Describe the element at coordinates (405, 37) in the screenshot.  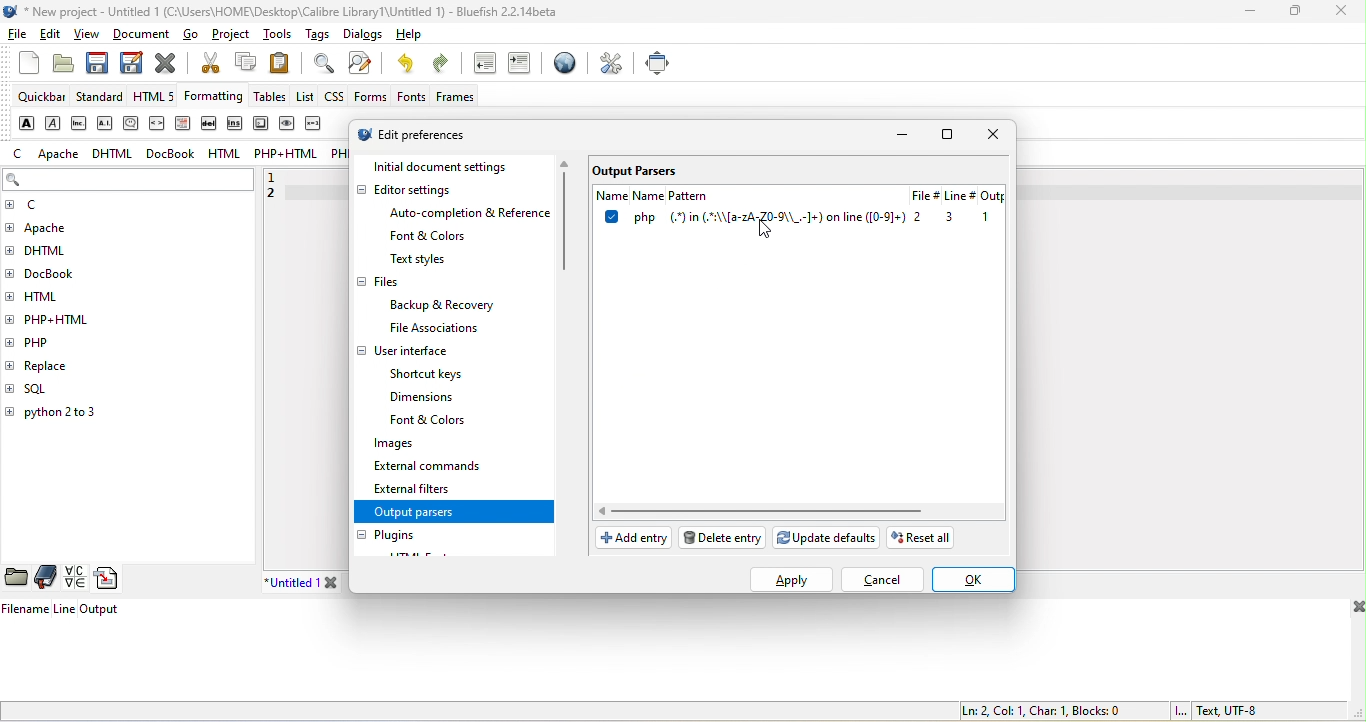
I see `help` at that location.